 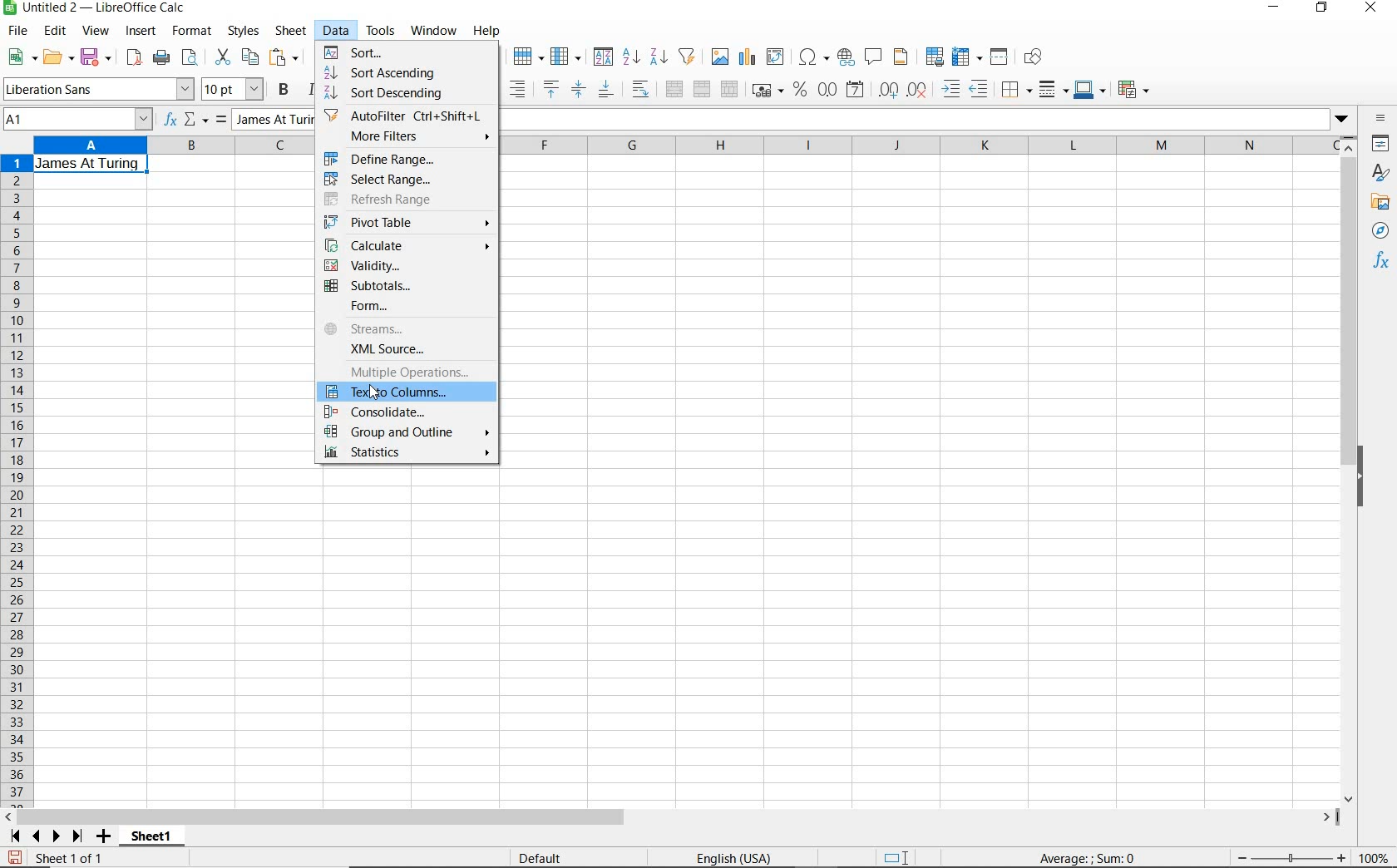 What do you see at coordinates (406, 117) in the screenshot?
I see `autofilter` at bounding box center [406, 117].